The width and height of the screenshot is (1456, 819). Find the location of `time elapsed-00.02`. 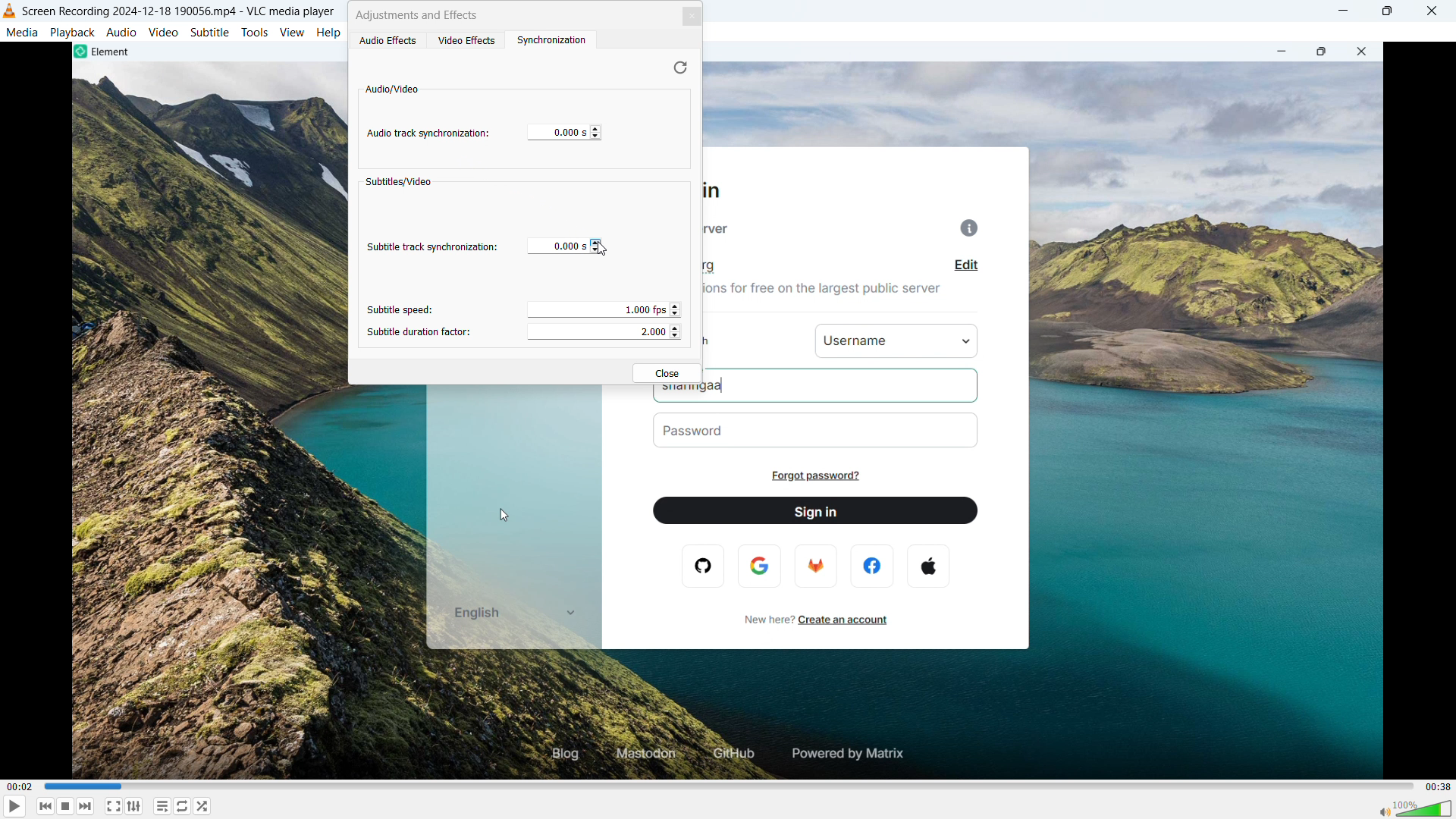

time elapsed-00.02 is located at coordinates (21, 786).